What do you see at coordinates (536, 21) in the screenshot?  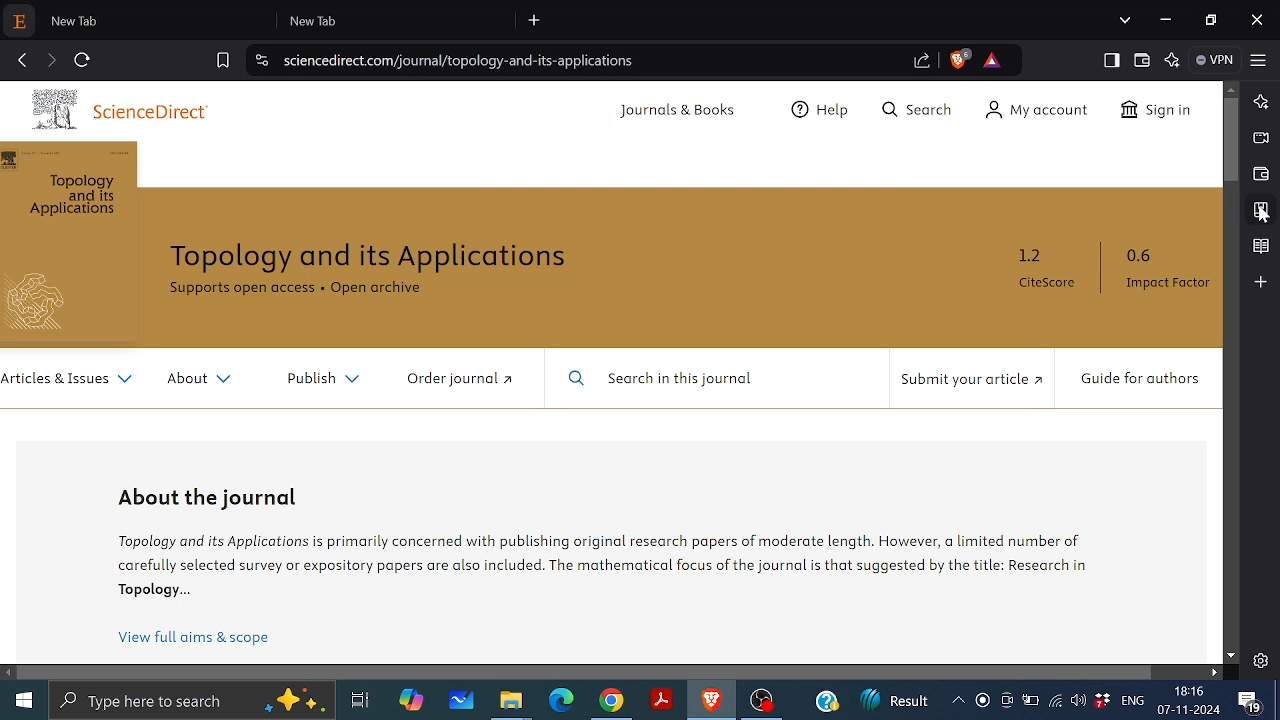 I see `Add new tab` at bounding box center [536, 21].